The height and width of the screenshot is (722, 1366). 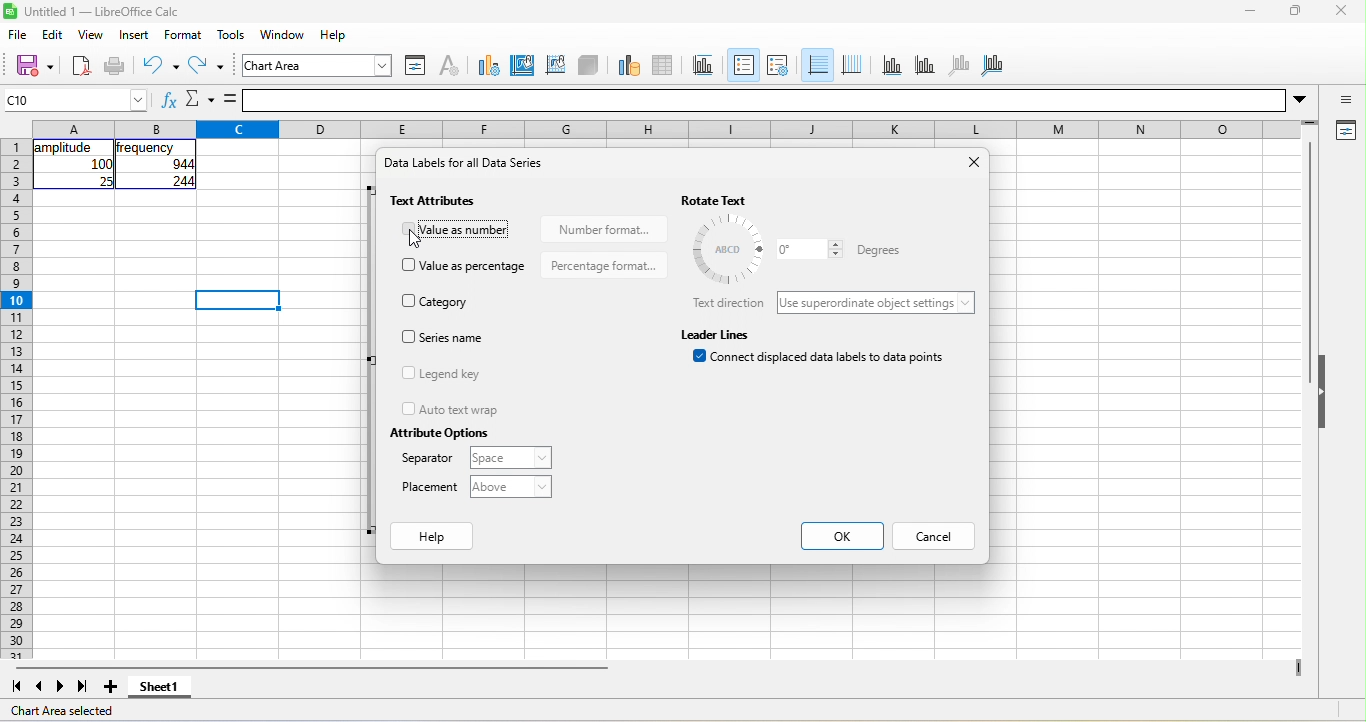 What do you see at coordinates (1340, 13) in the screenshot?
I see `close` at bounding box center [1340, 13].